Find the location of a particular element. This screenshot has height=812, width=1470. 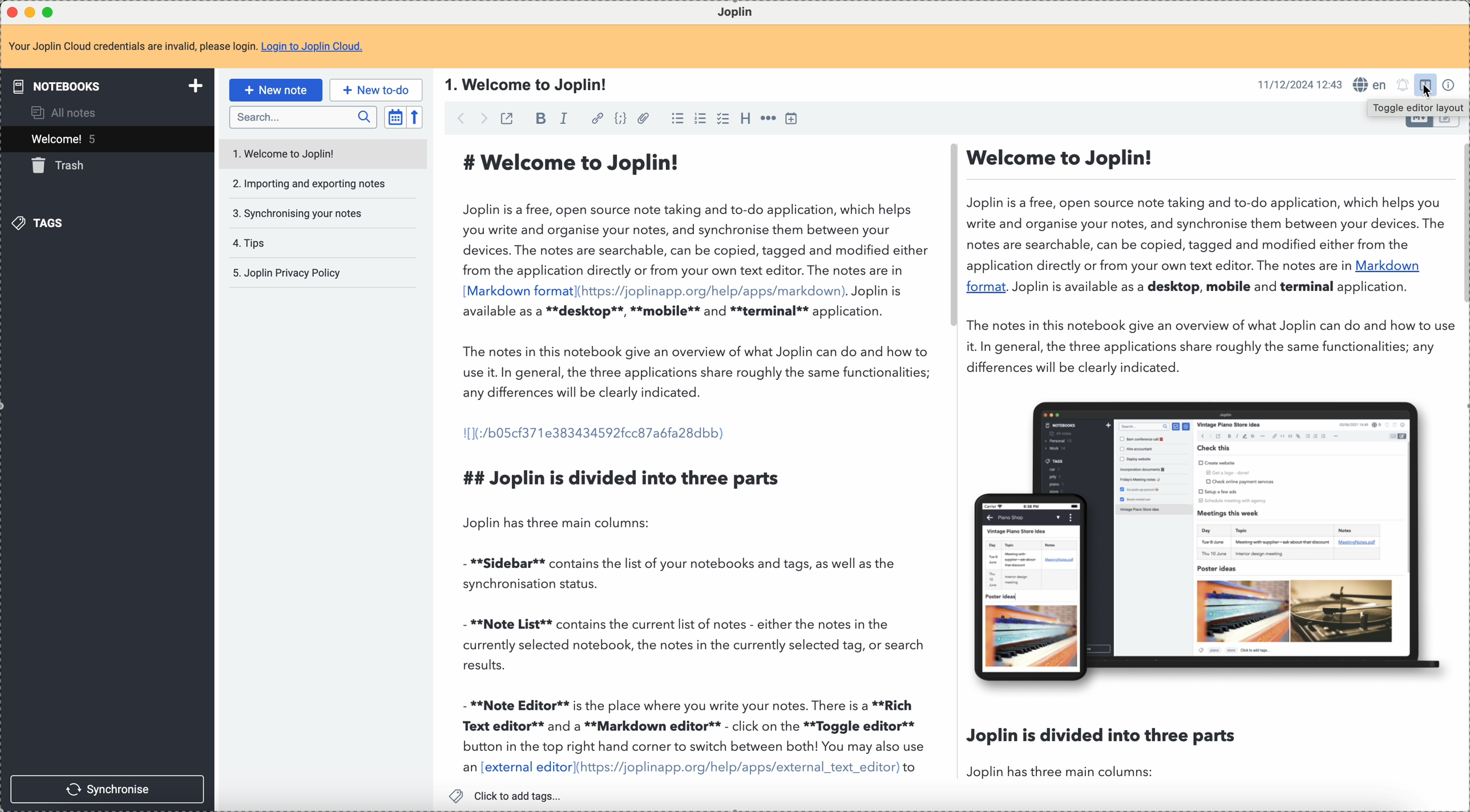

(https://joplinapp.org/help/apps/external_text_editor) is located at coordinates (737, 768).